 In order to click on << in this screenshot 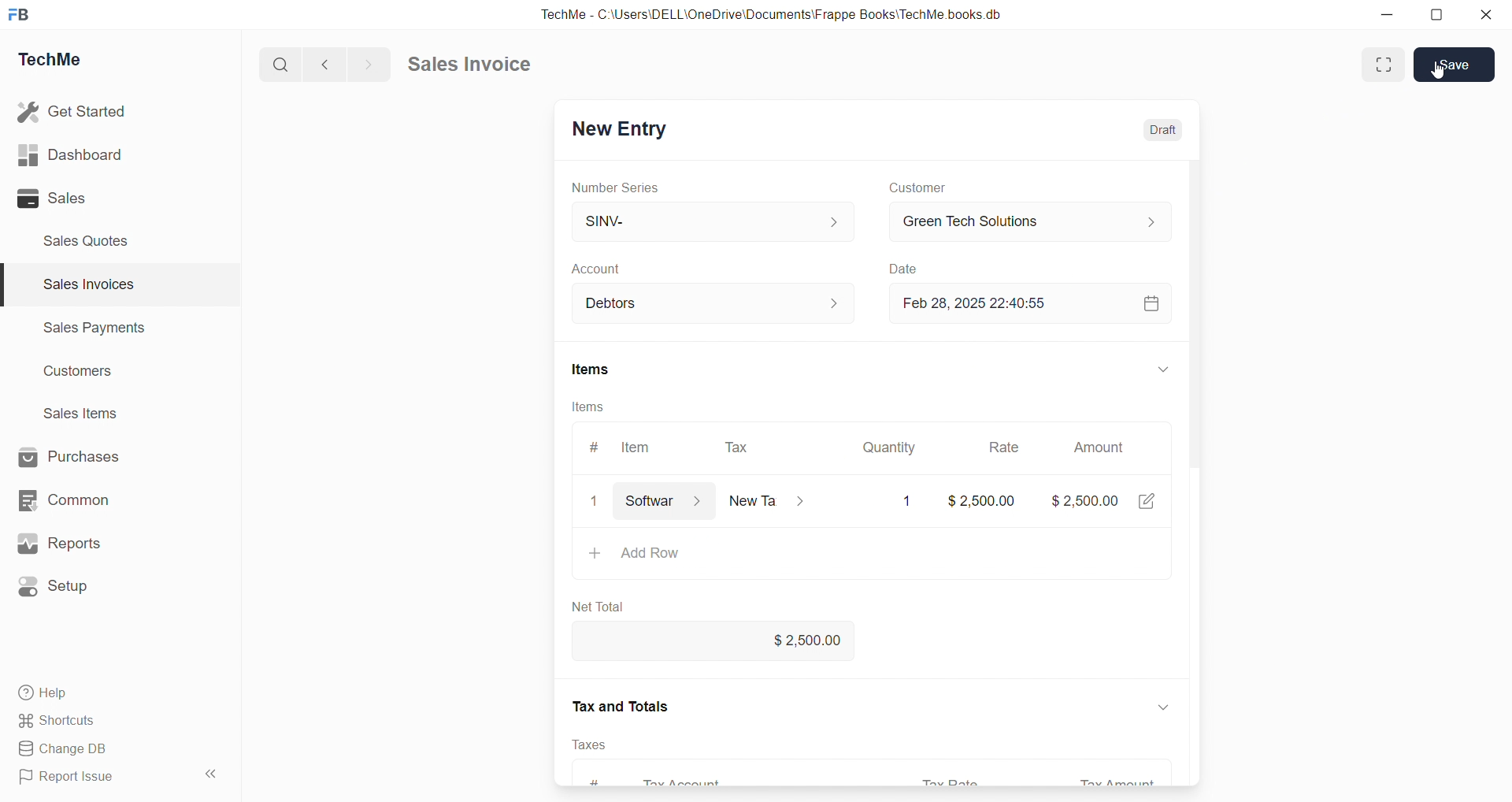, I will do `click(209, 774)`.